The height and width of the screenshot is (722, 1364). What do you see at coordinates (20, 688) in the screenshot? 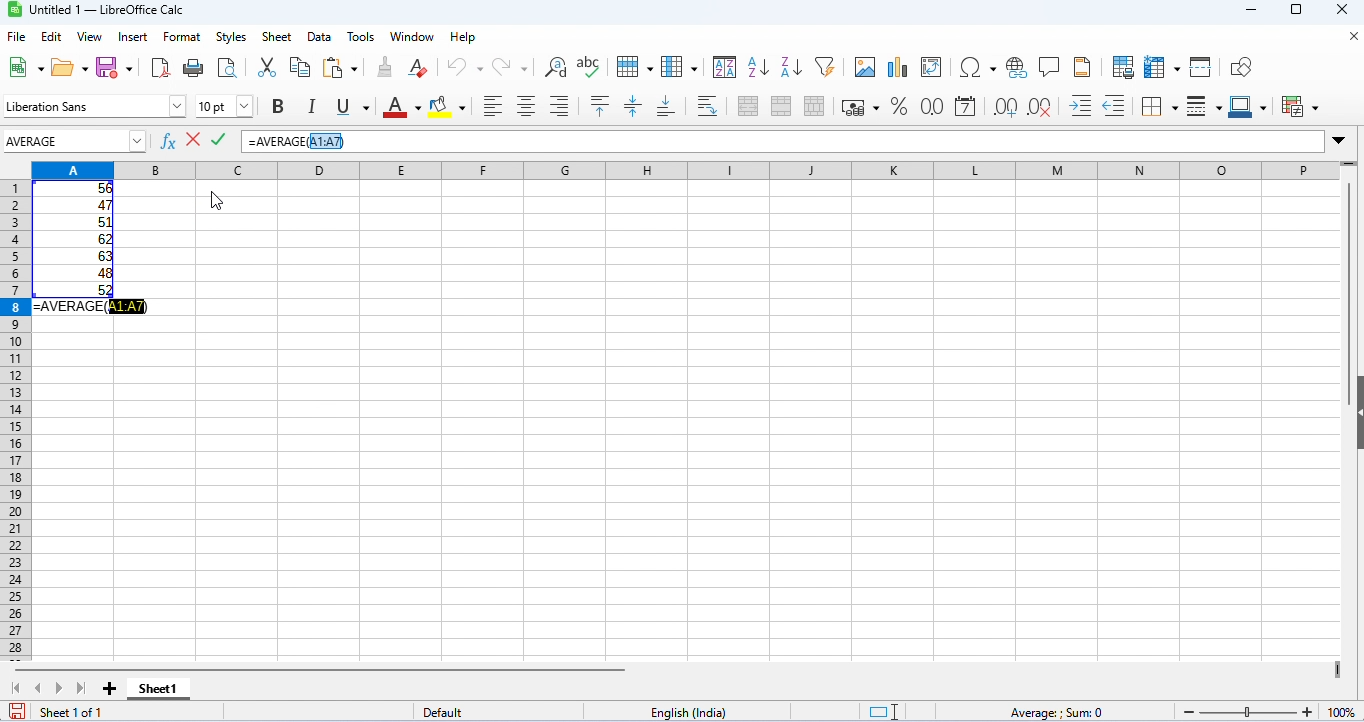
I see `first sheet` at bounding box center [20, 688].